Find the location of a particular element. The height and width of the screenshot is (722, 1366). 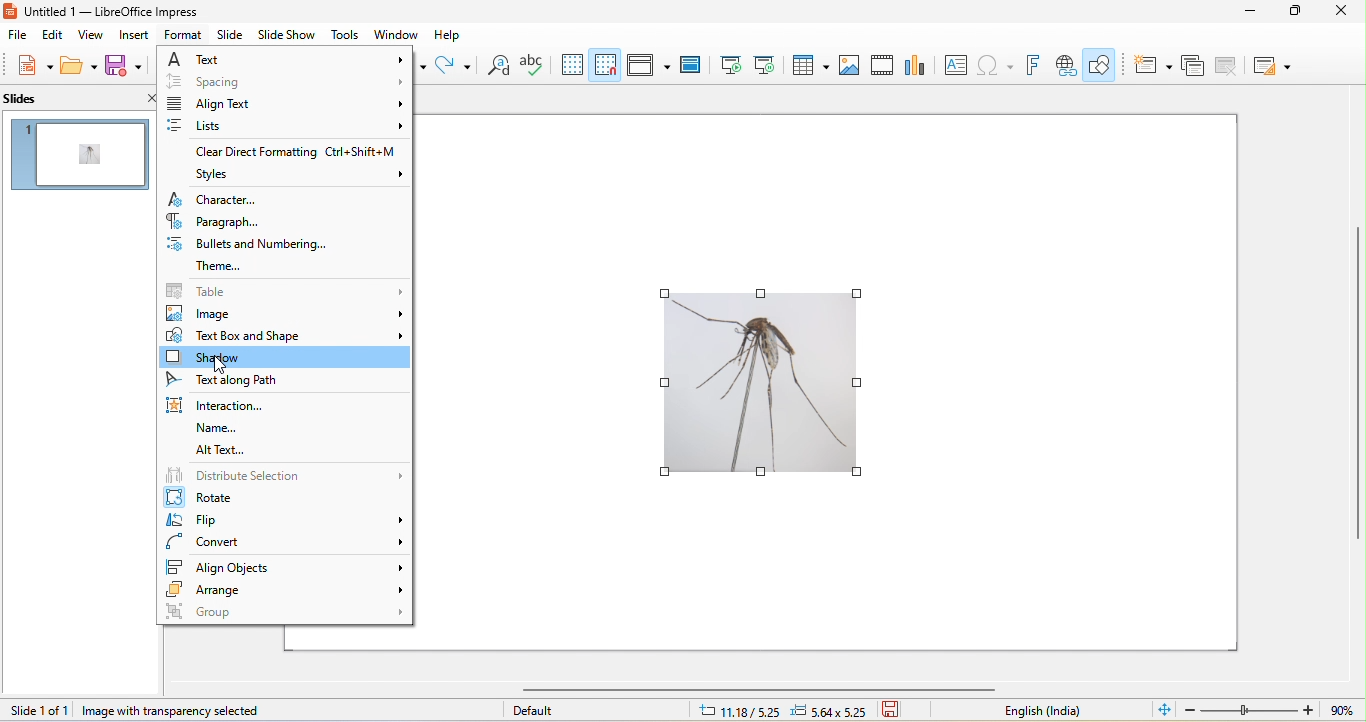

align objects is located at coordinates (285, 566).